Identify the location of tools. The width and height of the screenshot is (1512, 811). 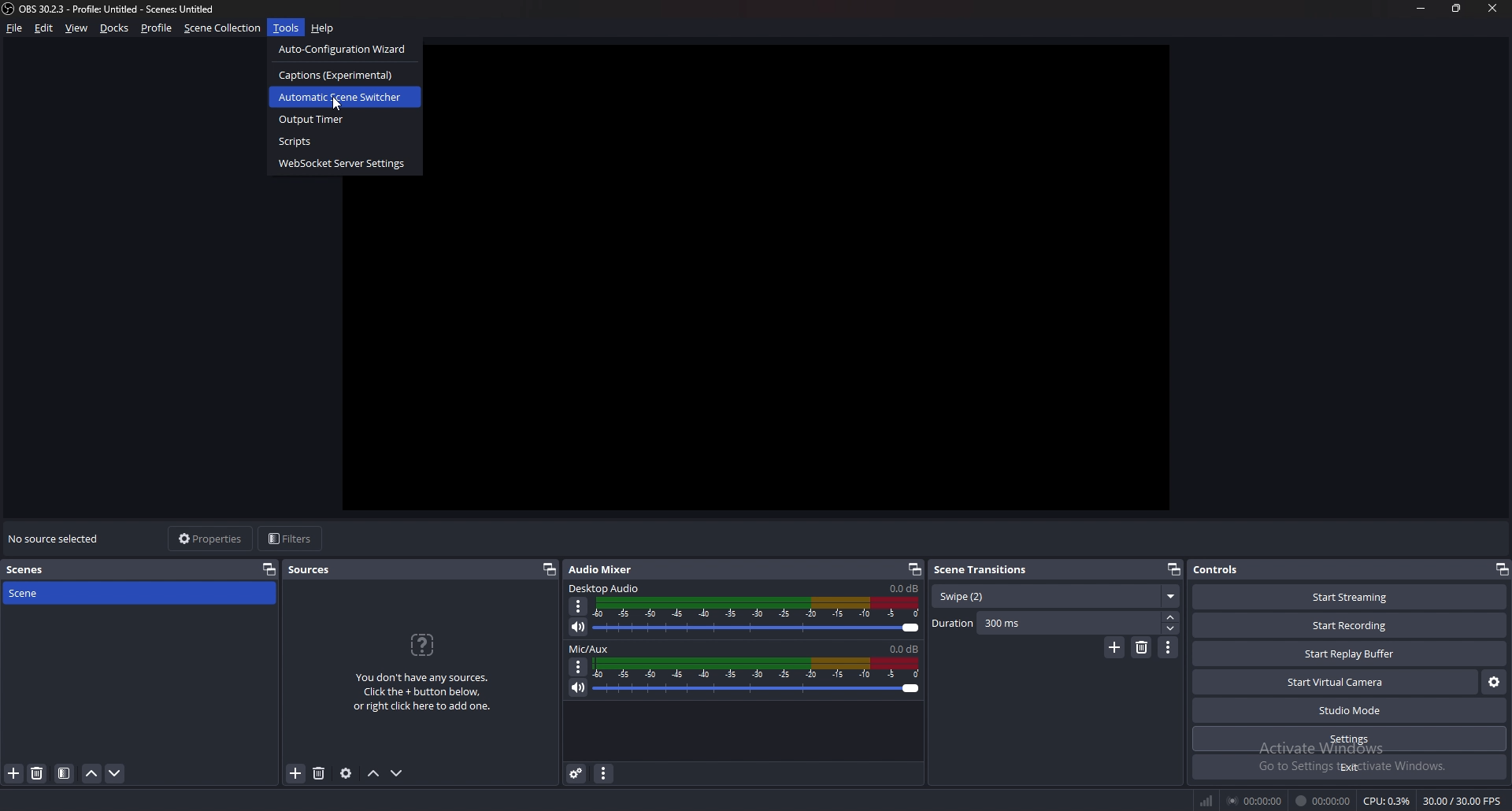
(287, 28).